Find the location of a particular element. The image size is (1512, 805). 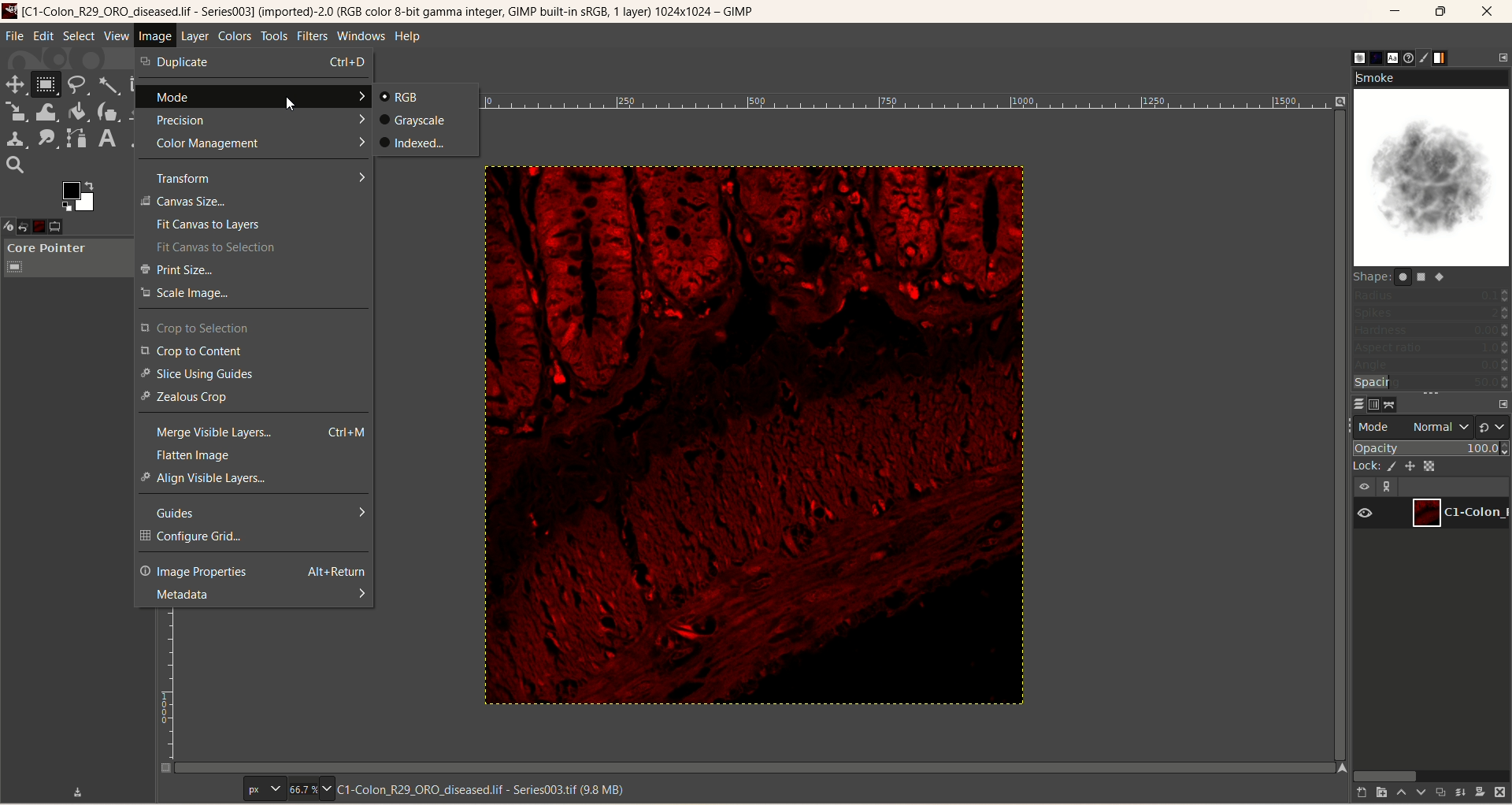

radius is located at coordinates (1429, 298).